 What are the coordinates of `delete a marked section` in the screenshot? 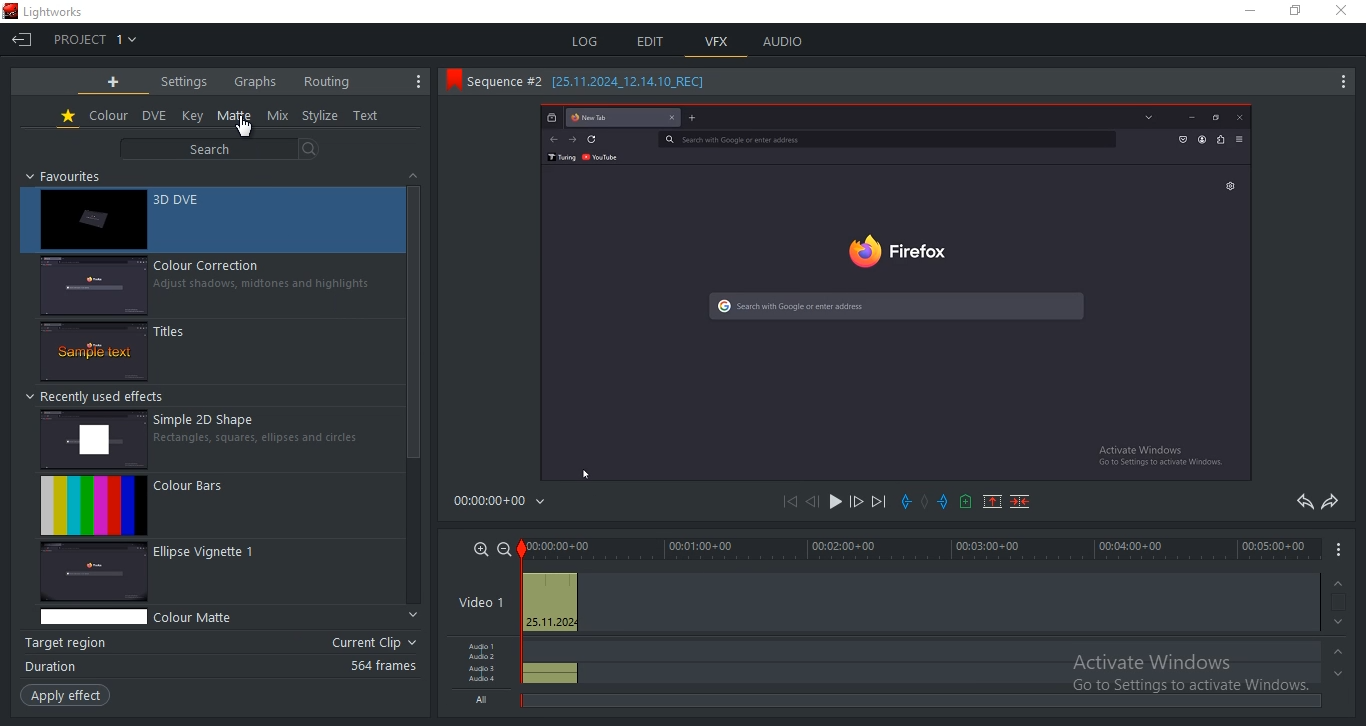 It's located at (1023, 501).